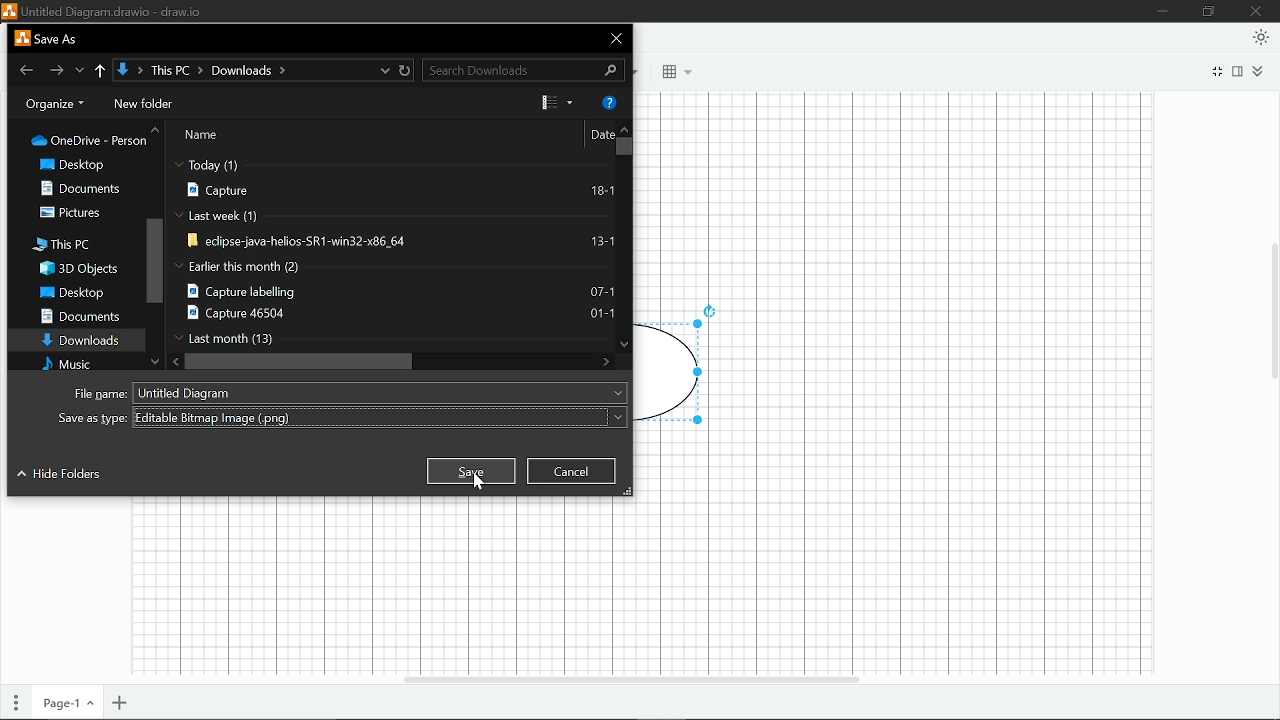 This screenshot has height=720, width=1280. I want to click on Move up in files in "downloads", so click(625, 126).